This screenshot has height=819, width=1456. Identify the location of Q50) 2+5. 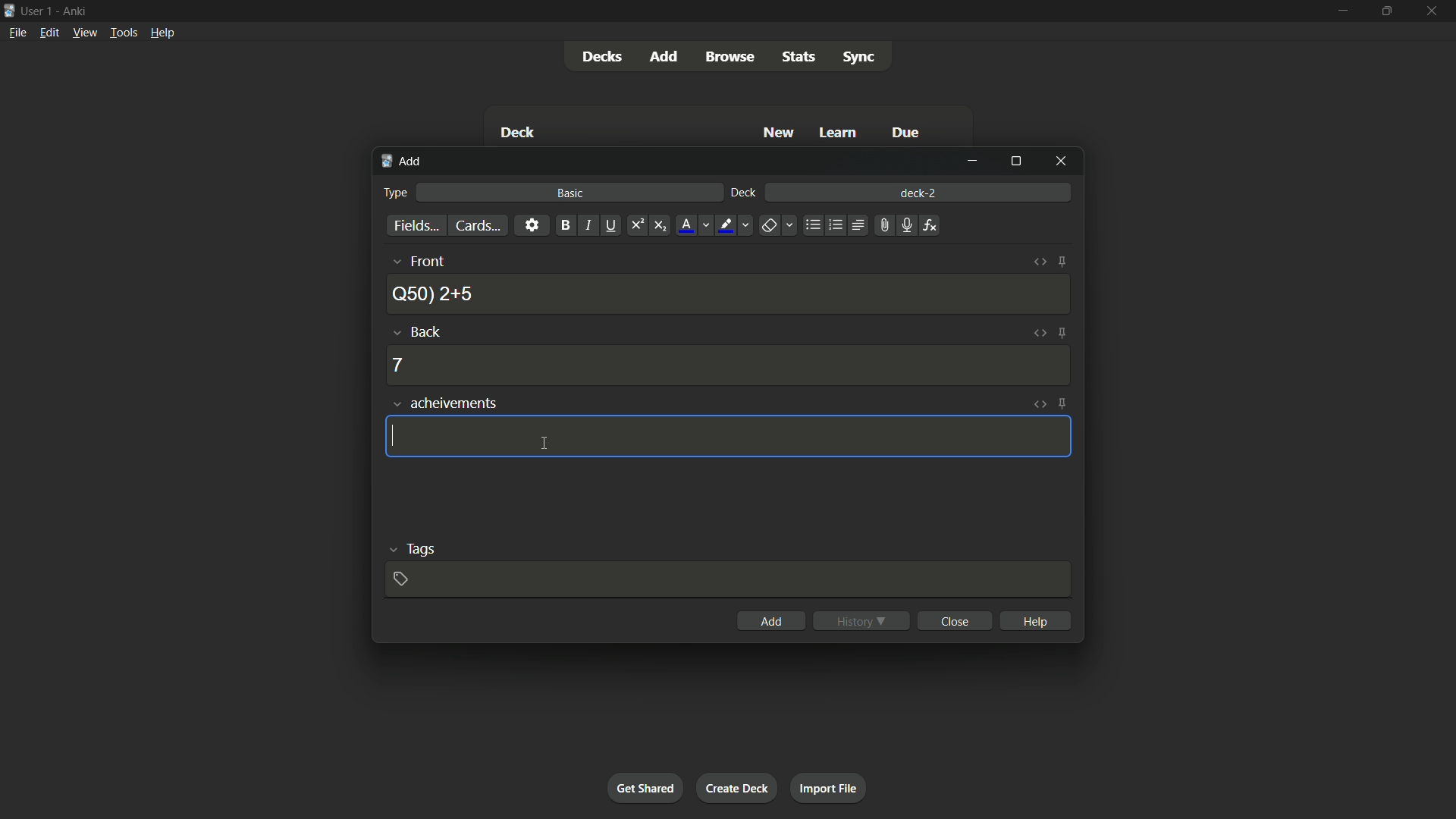
(434, 293).